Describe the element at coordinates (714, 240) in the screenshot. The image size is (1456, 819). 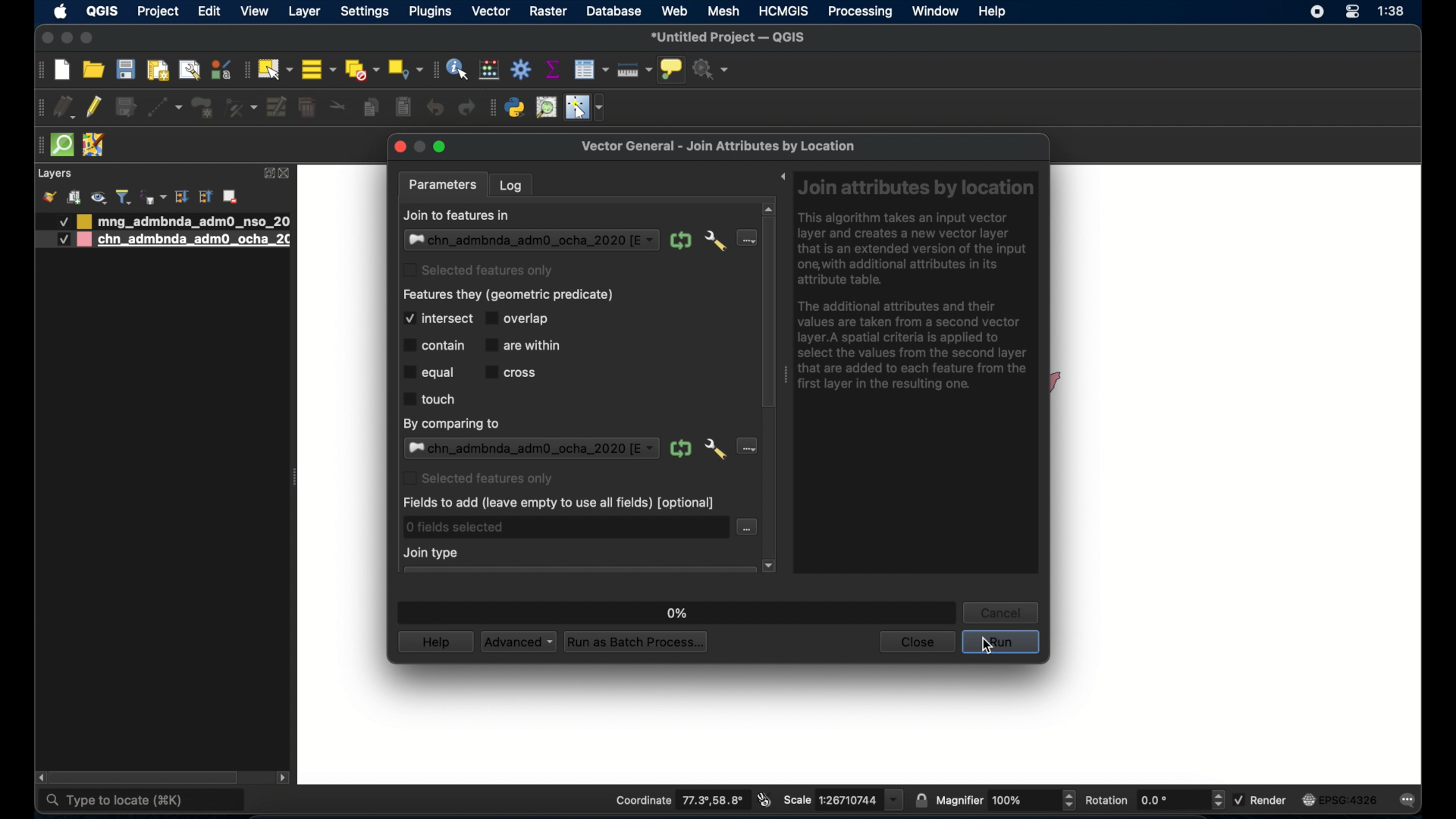
I see `advanced options` at that location.